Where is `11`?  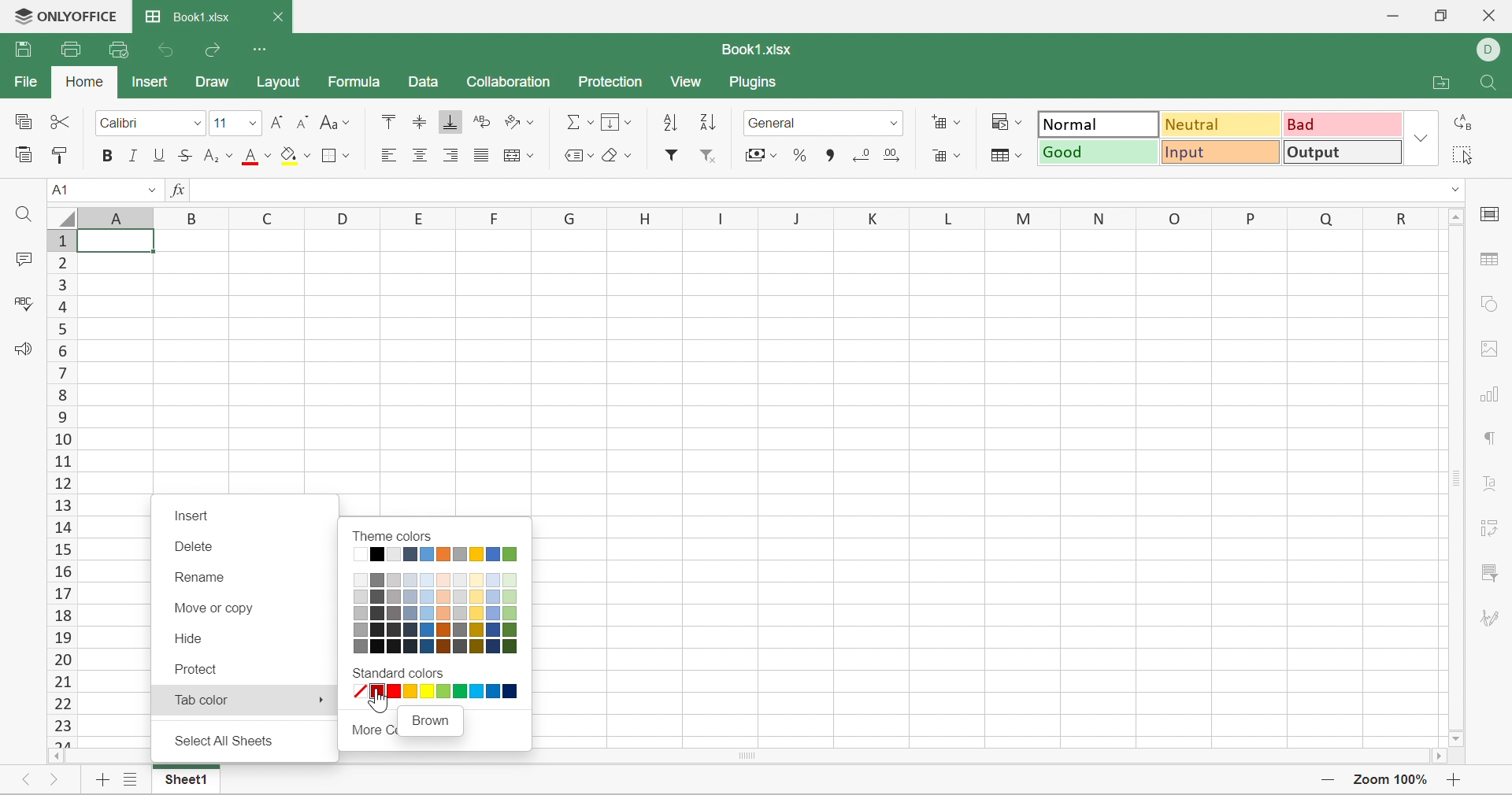
11 is located at coordinates (59, 464).